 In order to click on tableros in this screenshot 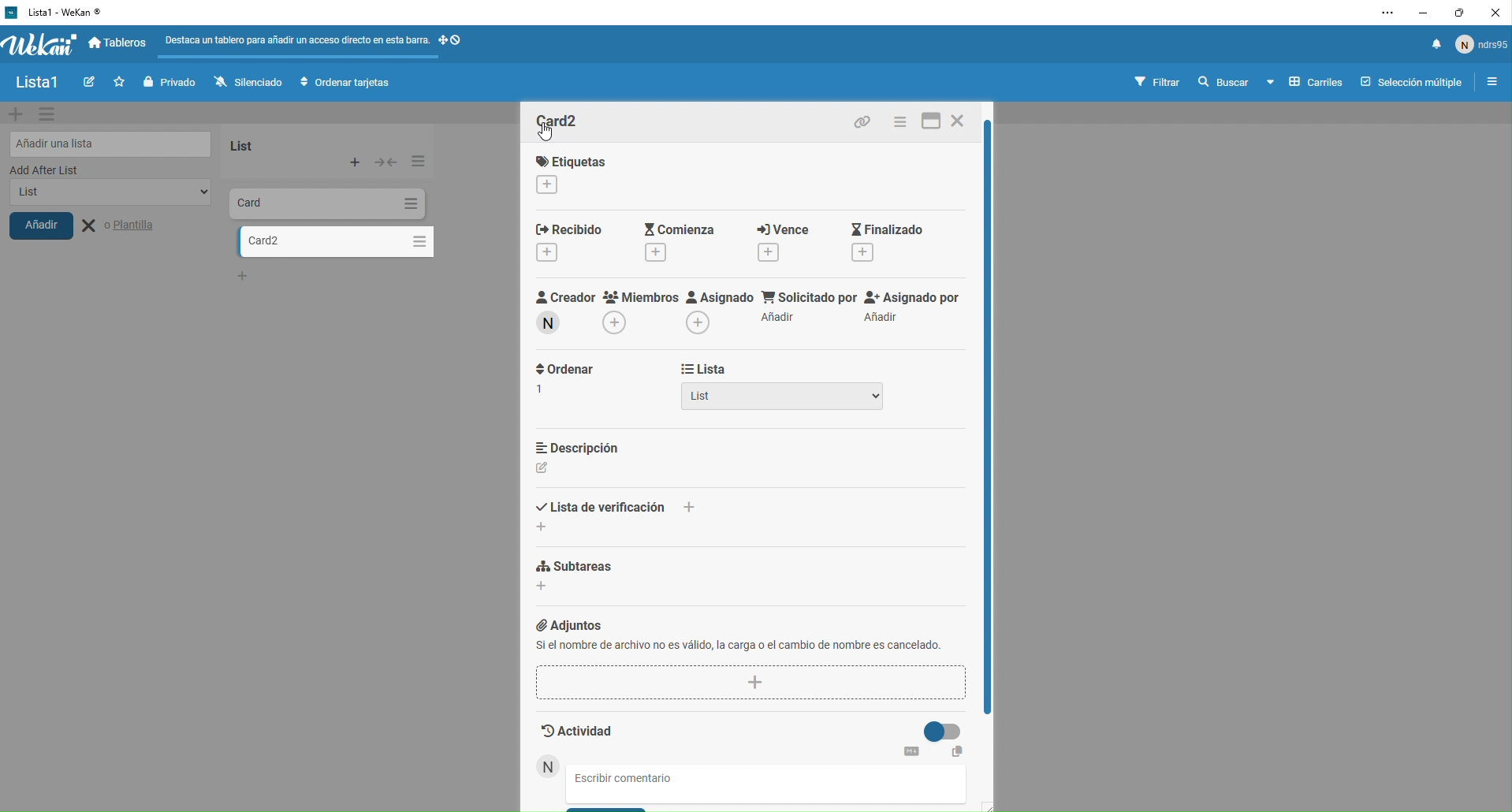, I will do `click(121, 44)`.